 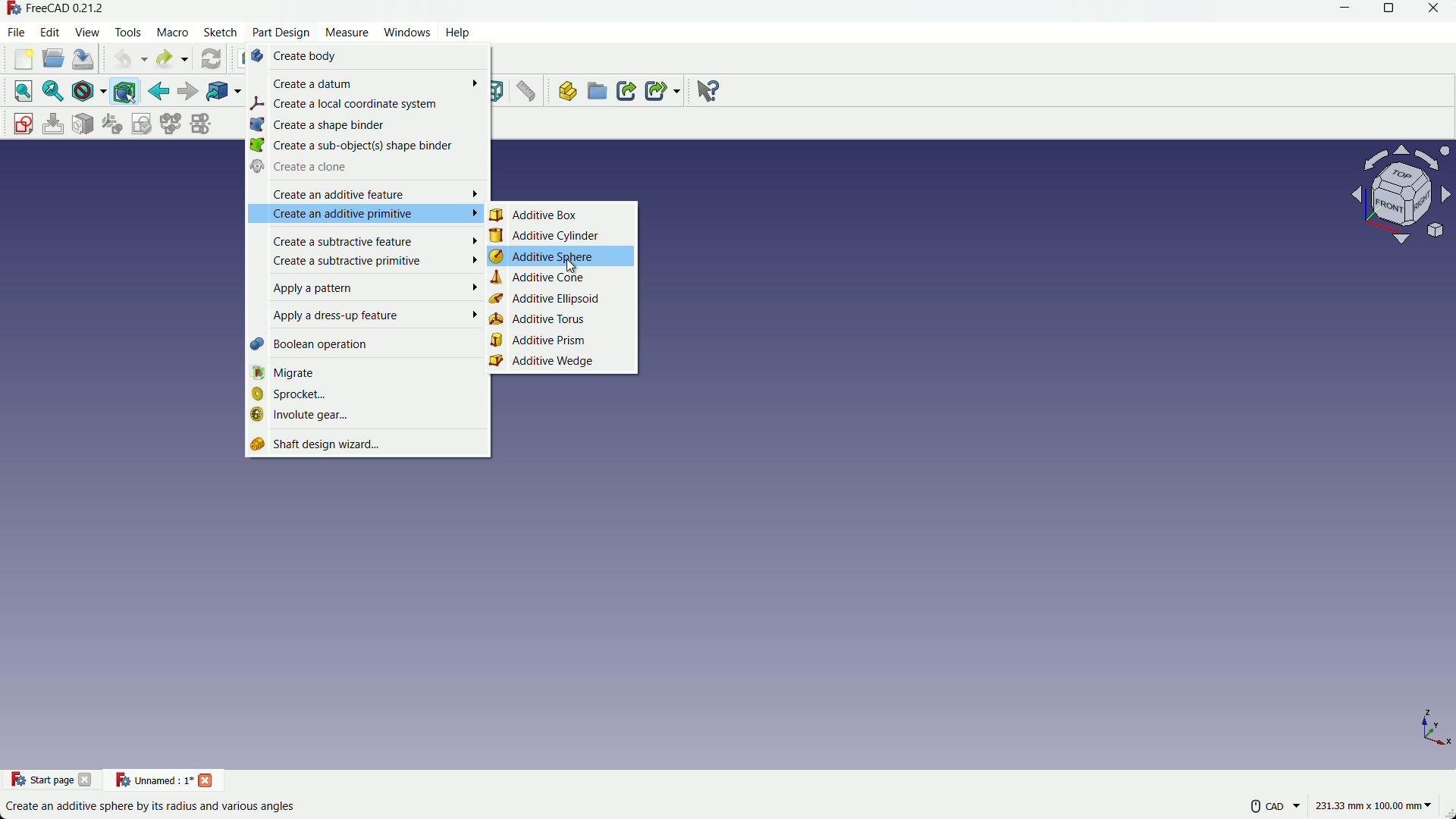 I want to click on help menu, so click(x=457, y=33).